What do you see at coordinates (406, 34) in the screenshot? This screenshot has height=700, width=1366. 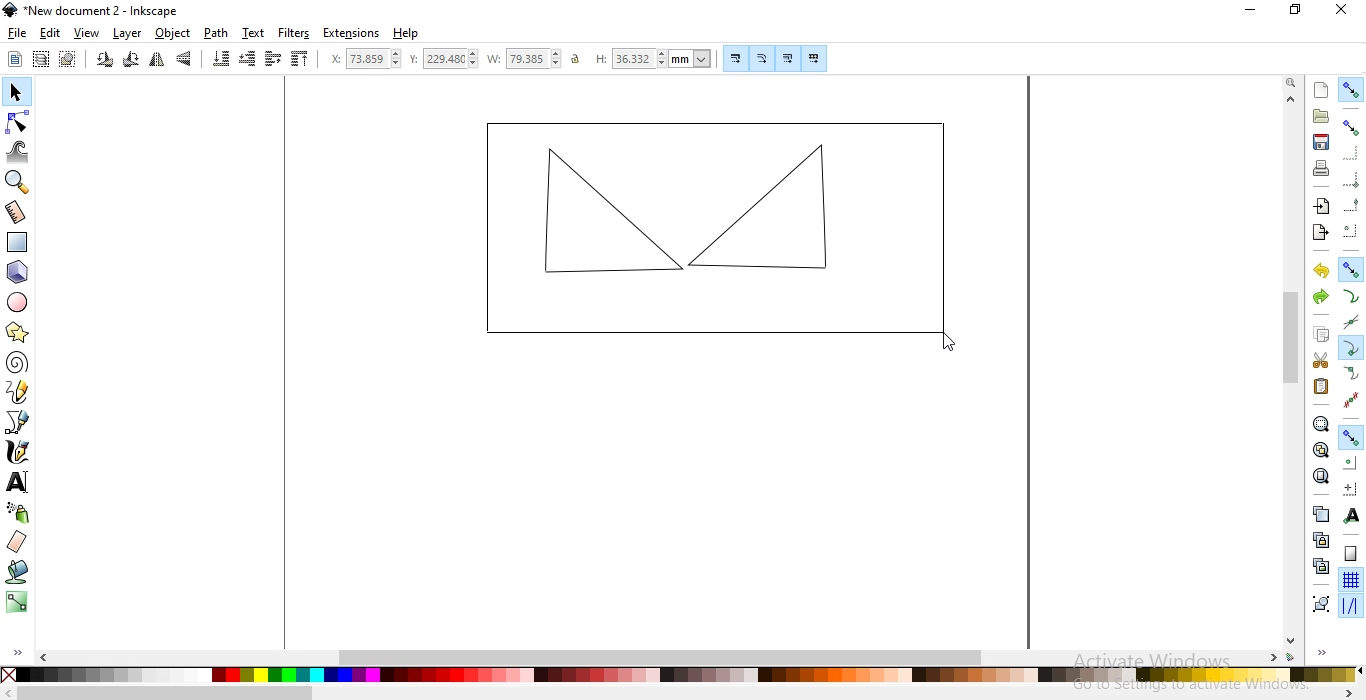 I see `help` at bounding box center [406, 34].